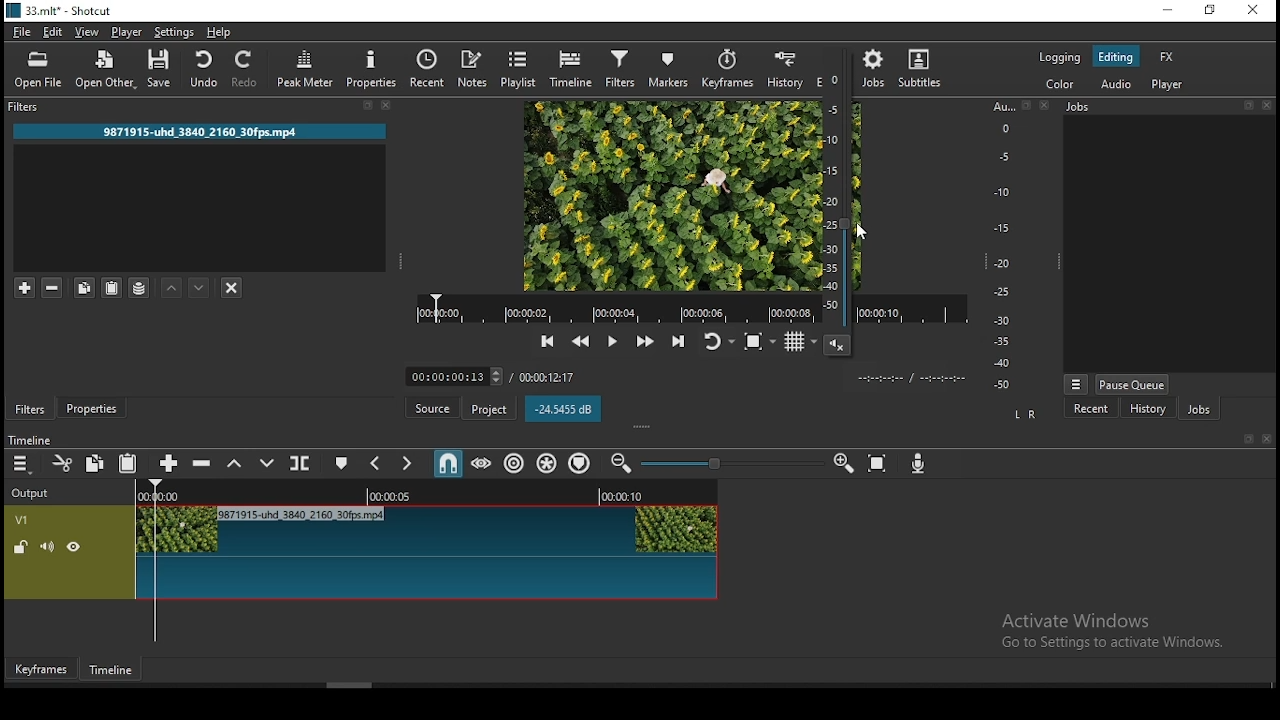 The image size is (1280, 720). What do you see at coordinates (369, 67) in the screenshot?
I see `properties` at bounding box center [369, 67].